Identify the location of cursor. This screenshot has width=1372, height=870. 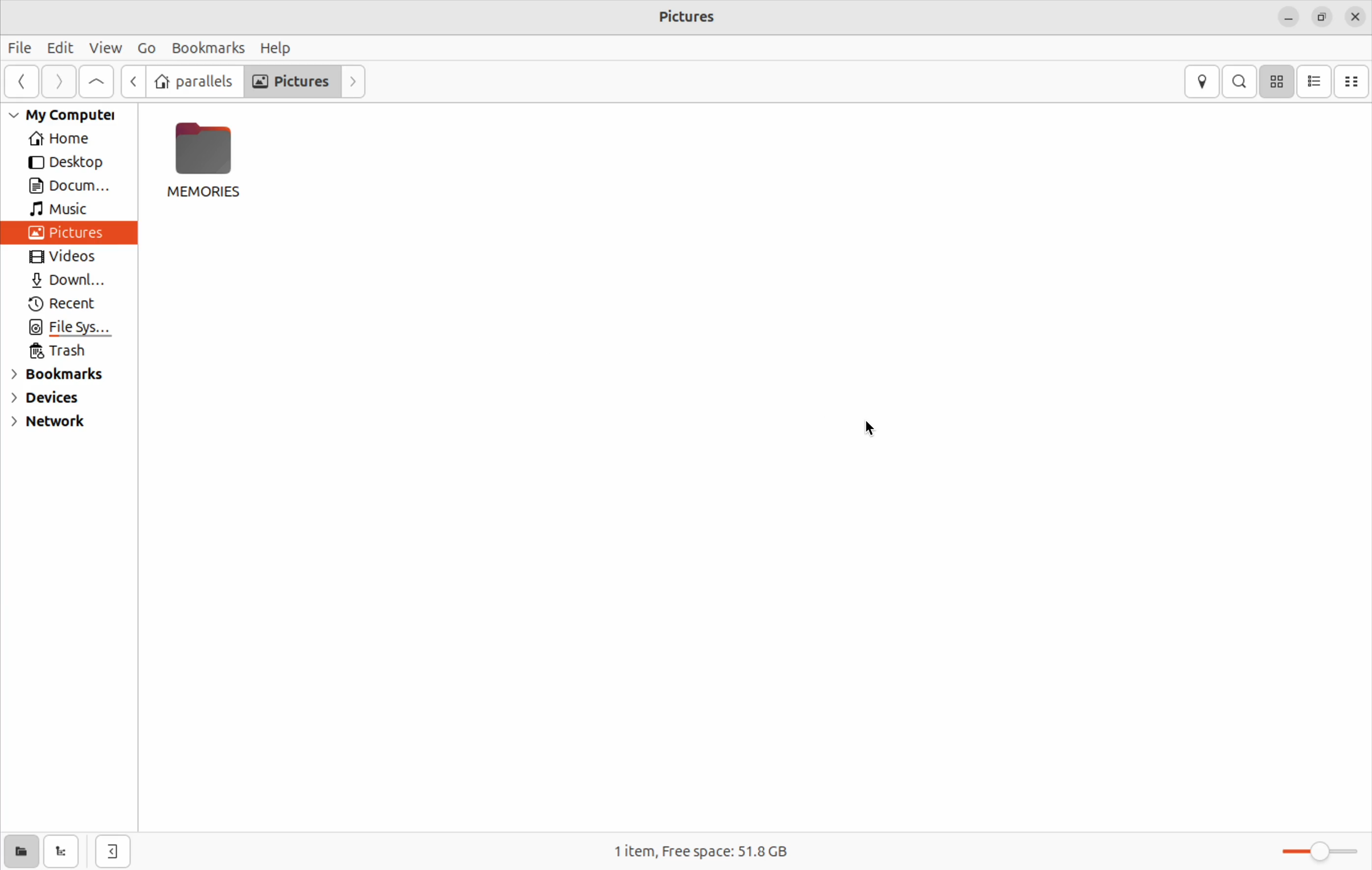
(873, 429).